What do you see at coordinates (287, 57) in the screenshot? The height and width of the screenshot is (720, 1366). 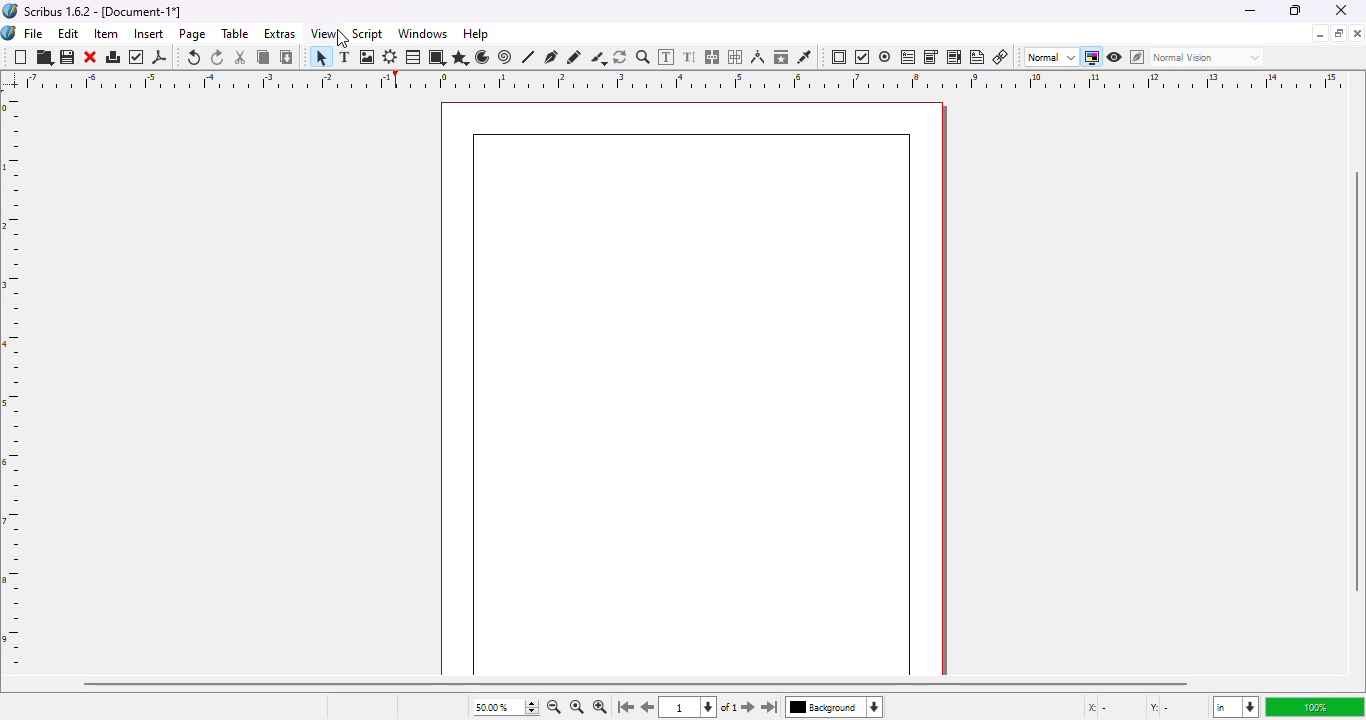 I see `paste` at bounding box center [287, 57].